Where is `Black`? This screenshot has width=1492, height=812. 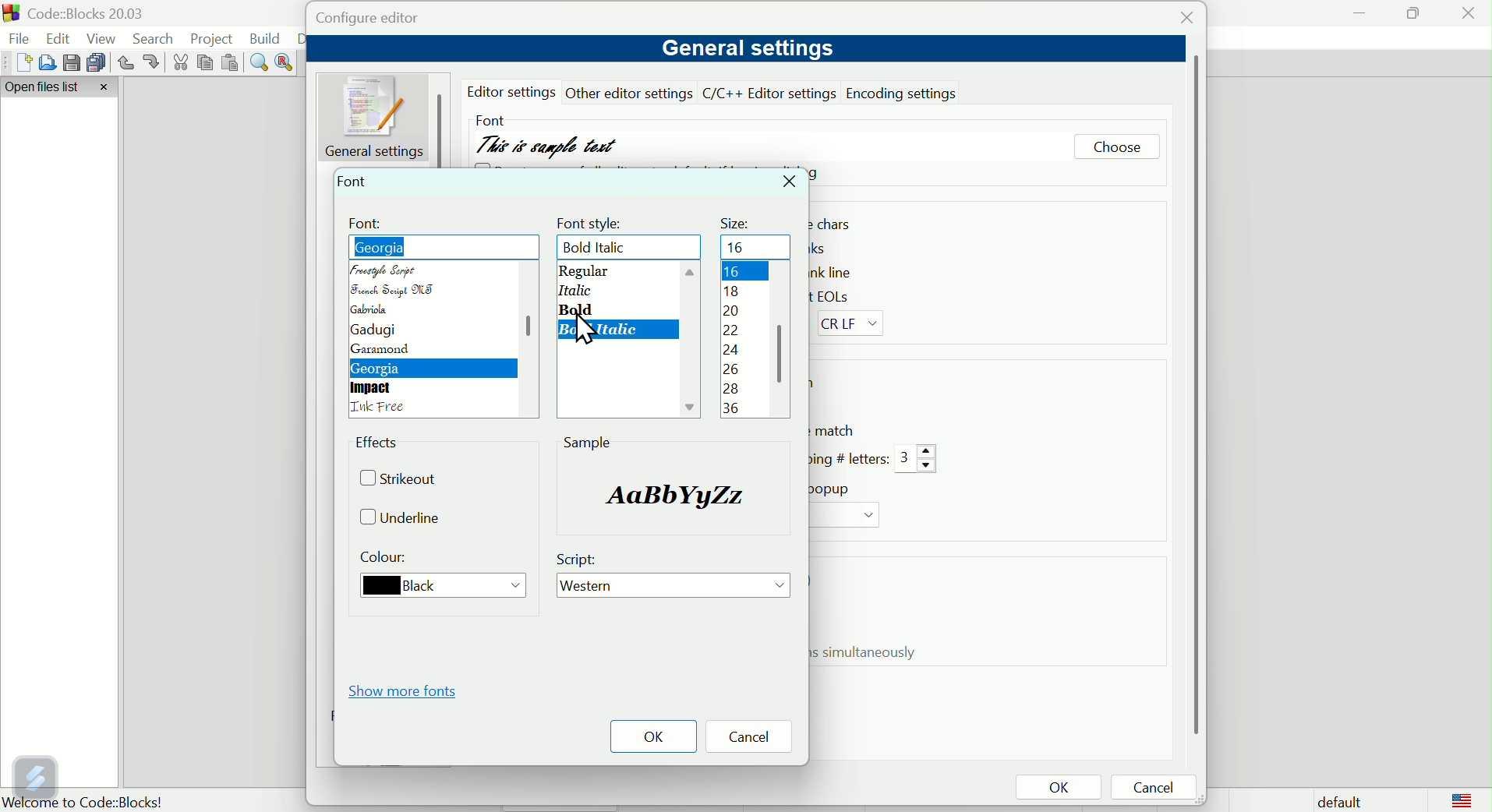 Black is located at coordinates (436, 587).